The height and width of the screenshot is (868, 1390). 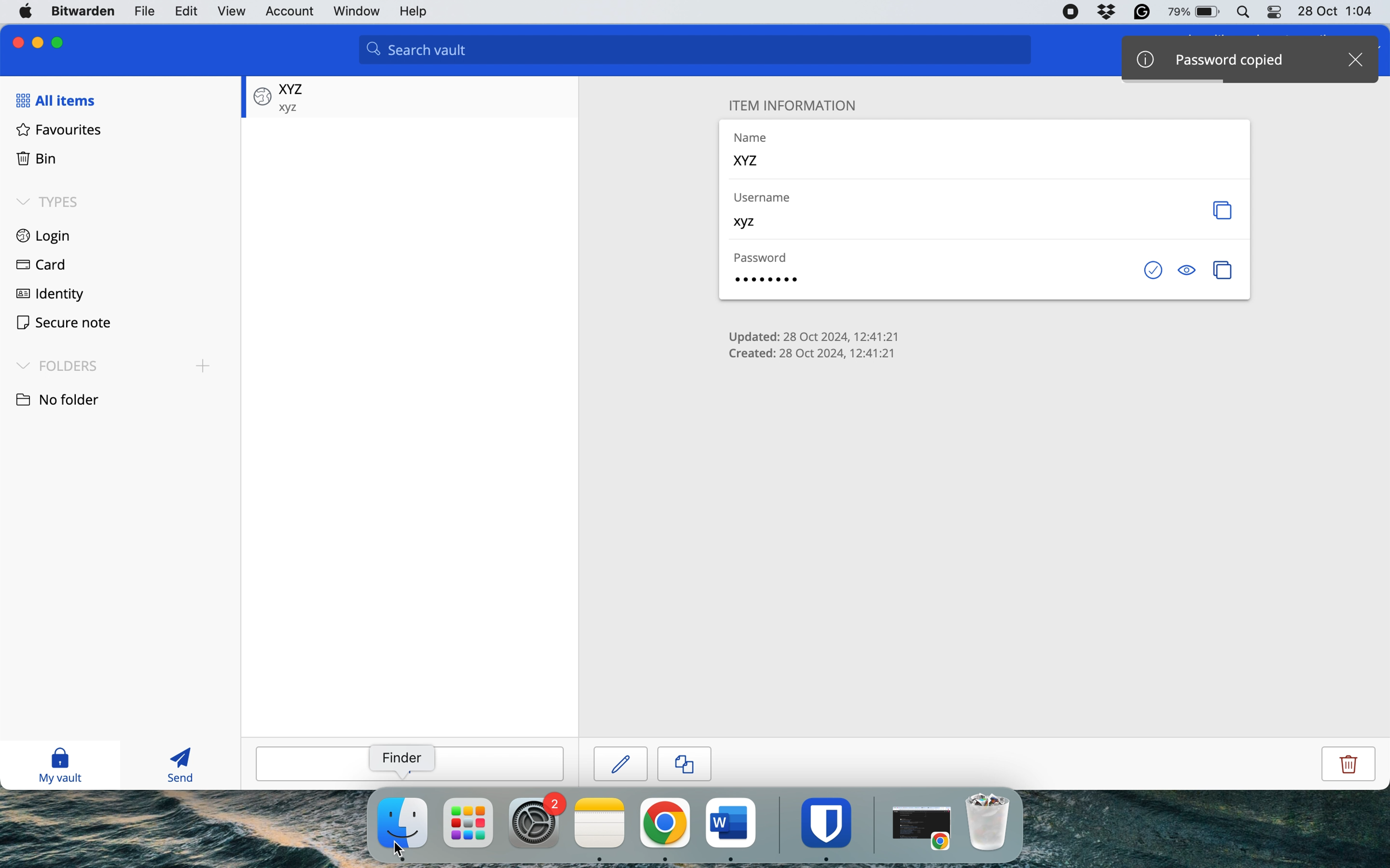 What do you see at coordinates (40, 40) in the screenshot?
I see `minimise` at bounding box center [40, 40].